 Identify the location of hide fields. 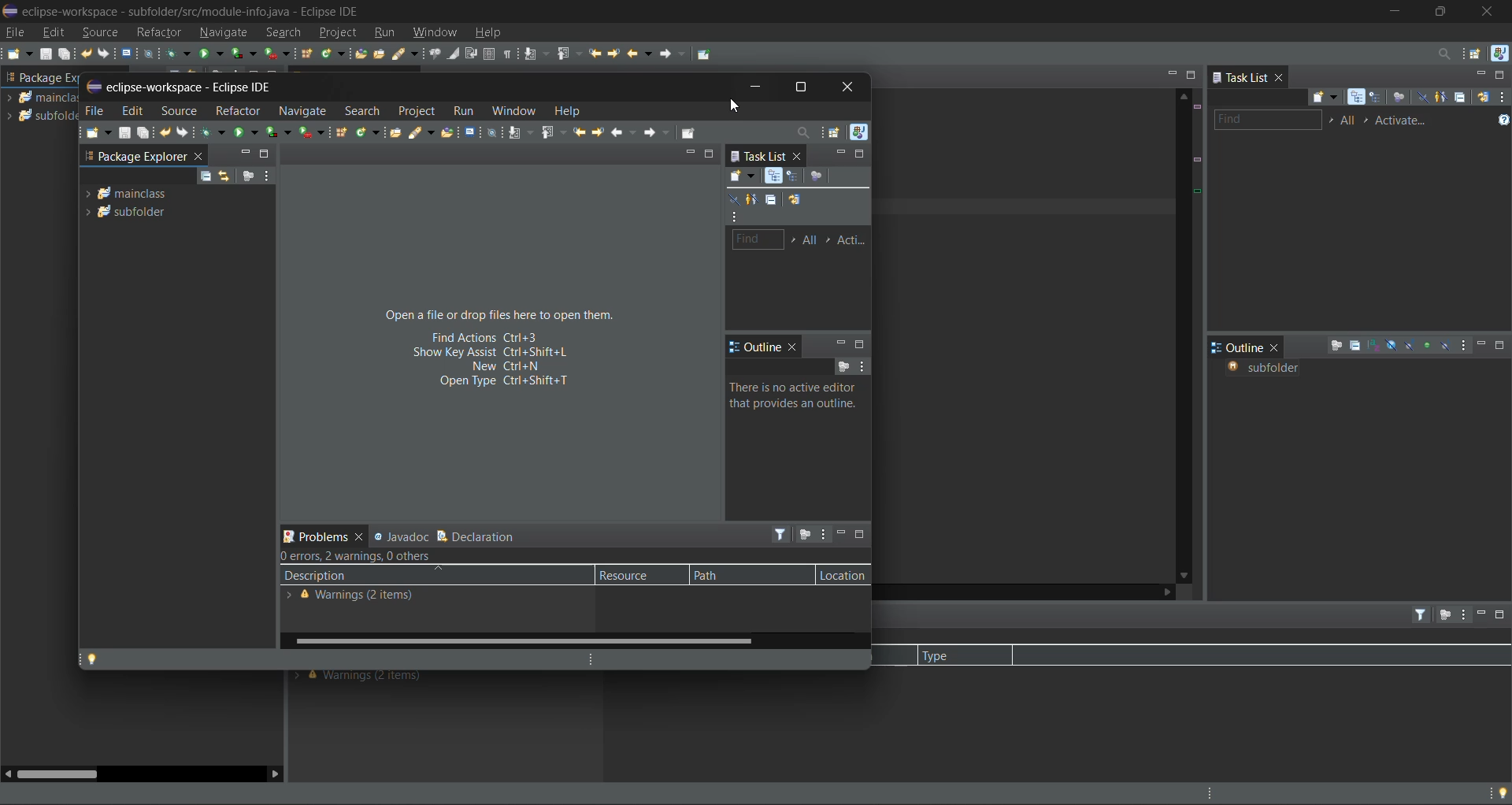
(1392, 347).